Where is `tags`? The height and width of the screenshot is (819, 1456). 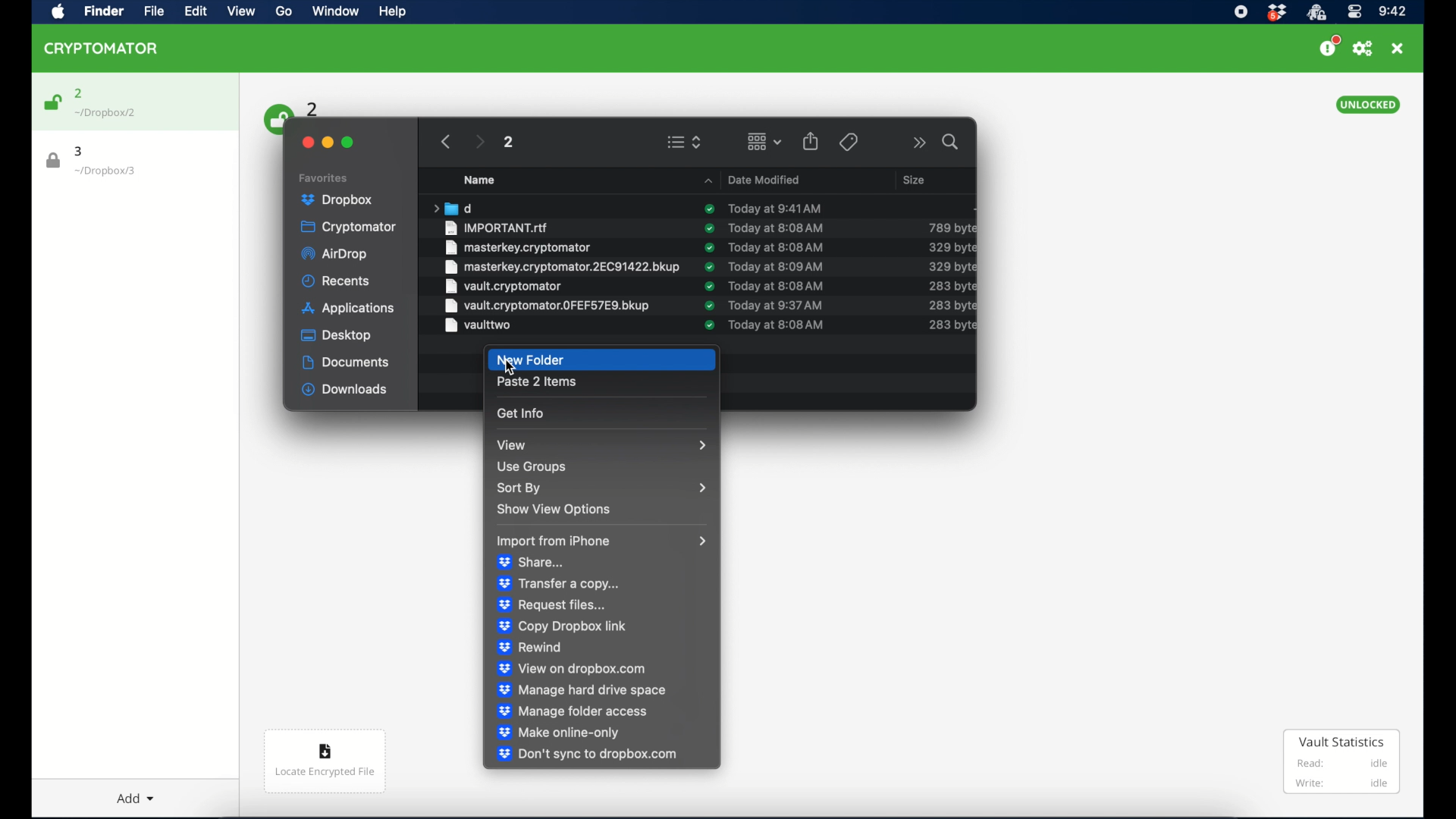 tags is located at coordinates (848, 142).